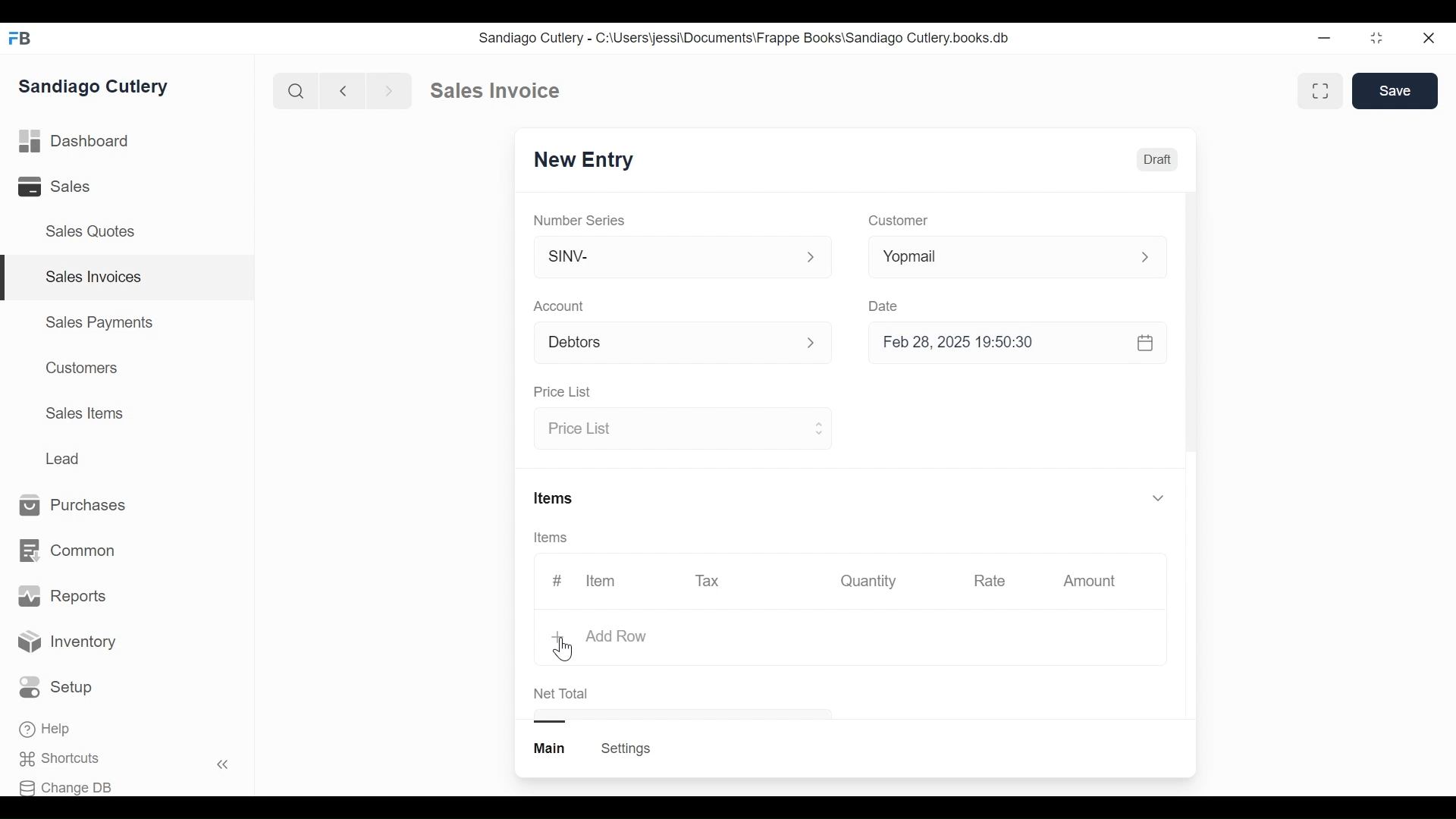  What do you see at coordinates (1090, 581) in the screenshot?
I see `Amount` at bounding box center [1090, 581].